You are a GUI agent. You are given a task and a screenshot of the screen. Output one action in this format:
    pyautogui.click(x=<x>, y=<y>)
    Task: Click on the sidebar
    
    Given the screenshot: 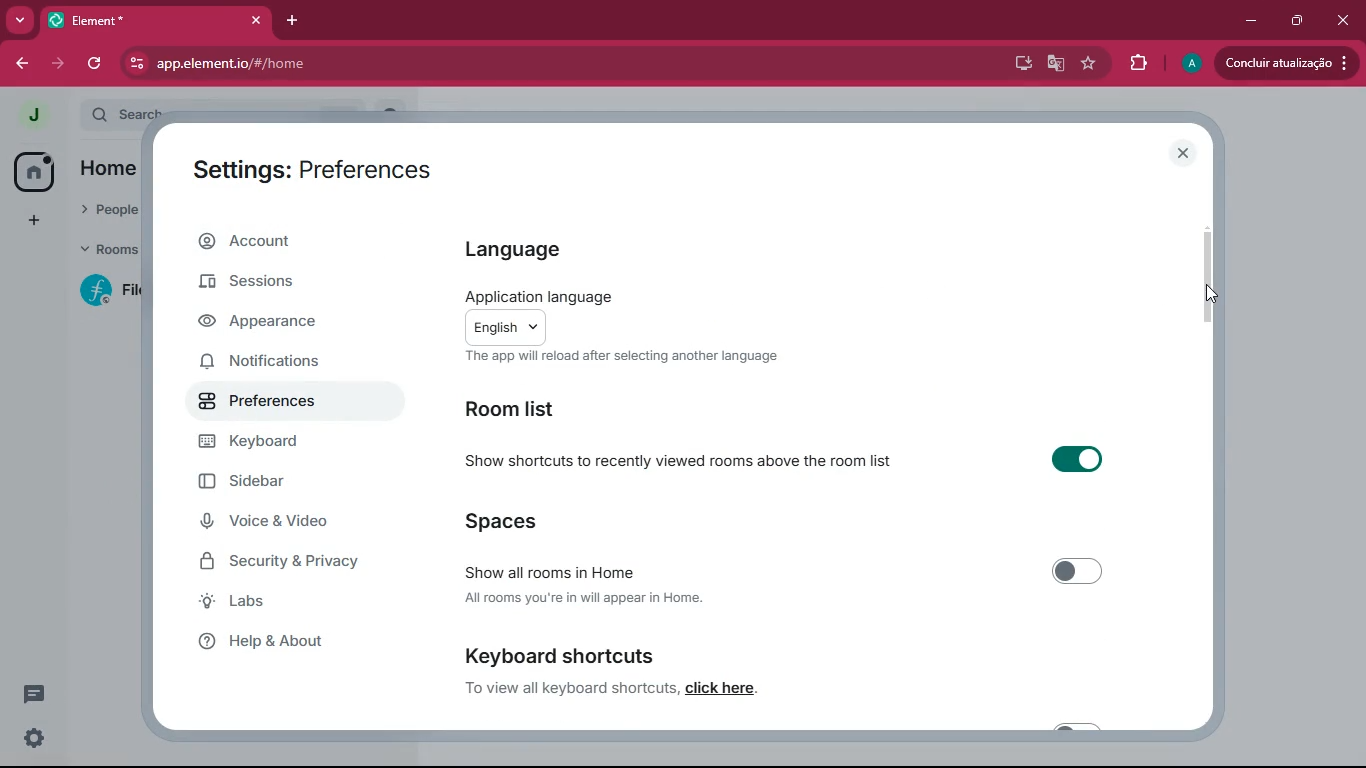 What is the action you would take?
    pyautogui.click(x=289, y=486)
    